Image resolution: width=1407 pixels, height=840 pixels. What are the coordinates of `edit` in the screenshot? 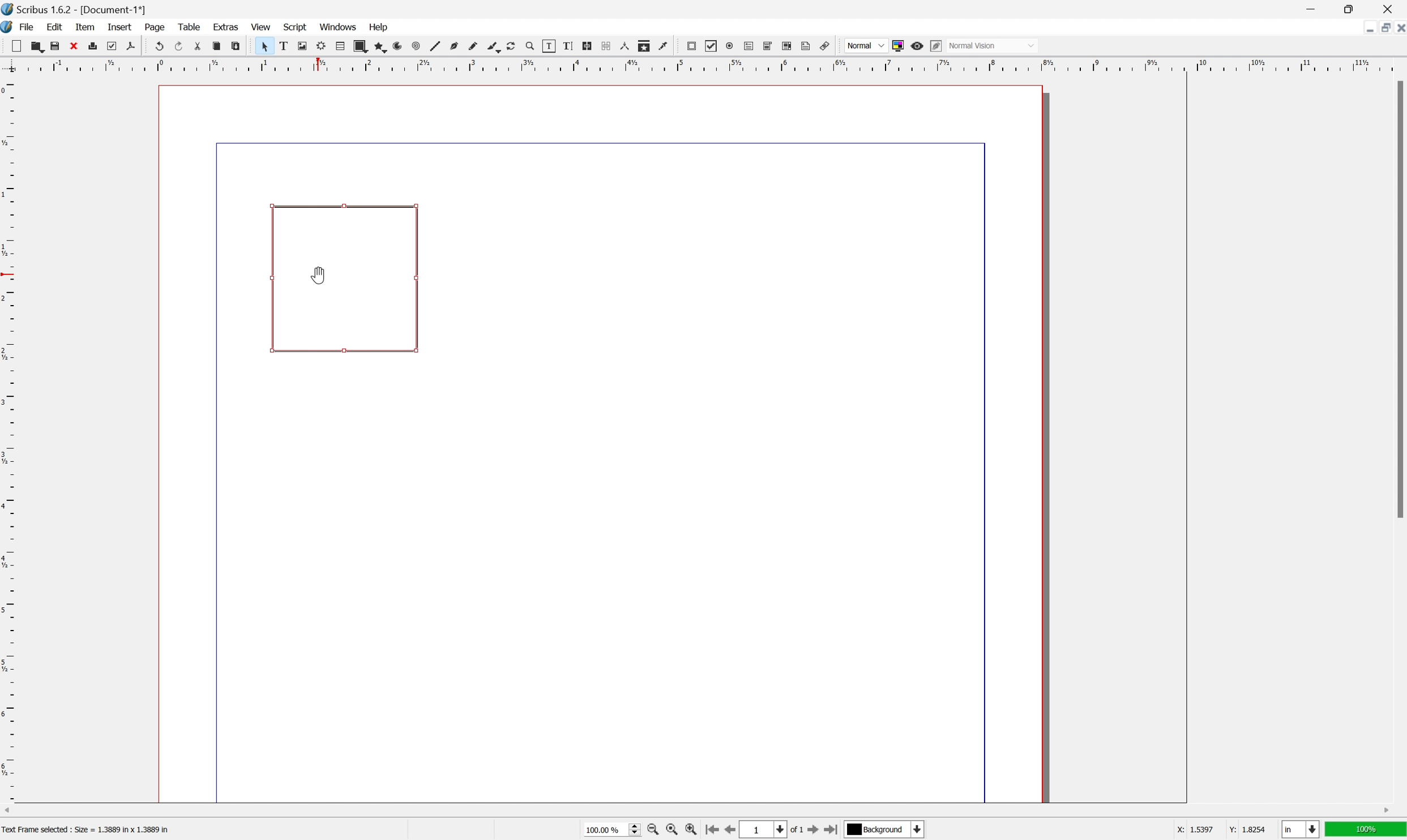 It's located at (54, 27).